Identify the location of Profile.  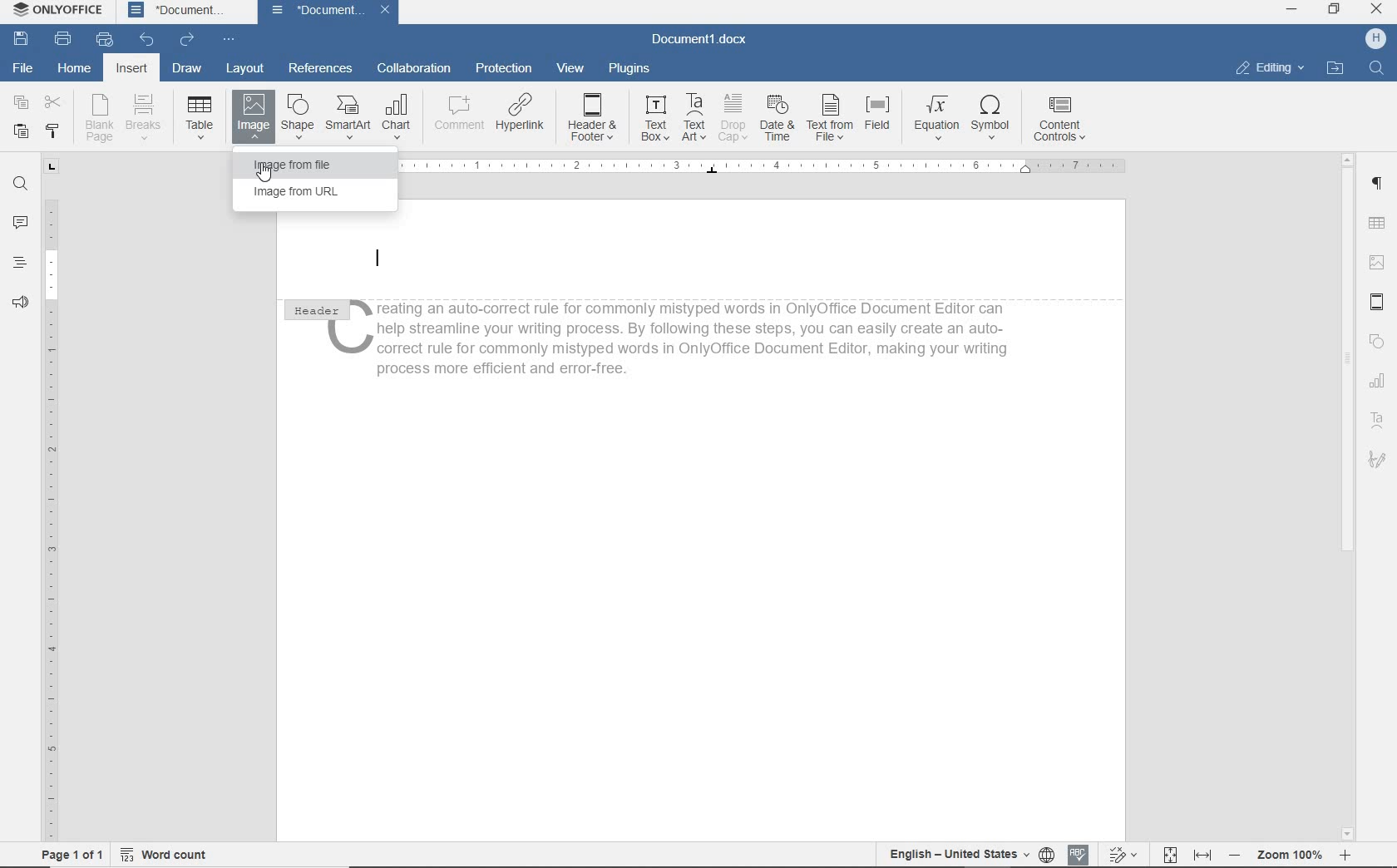
(1375, 39).